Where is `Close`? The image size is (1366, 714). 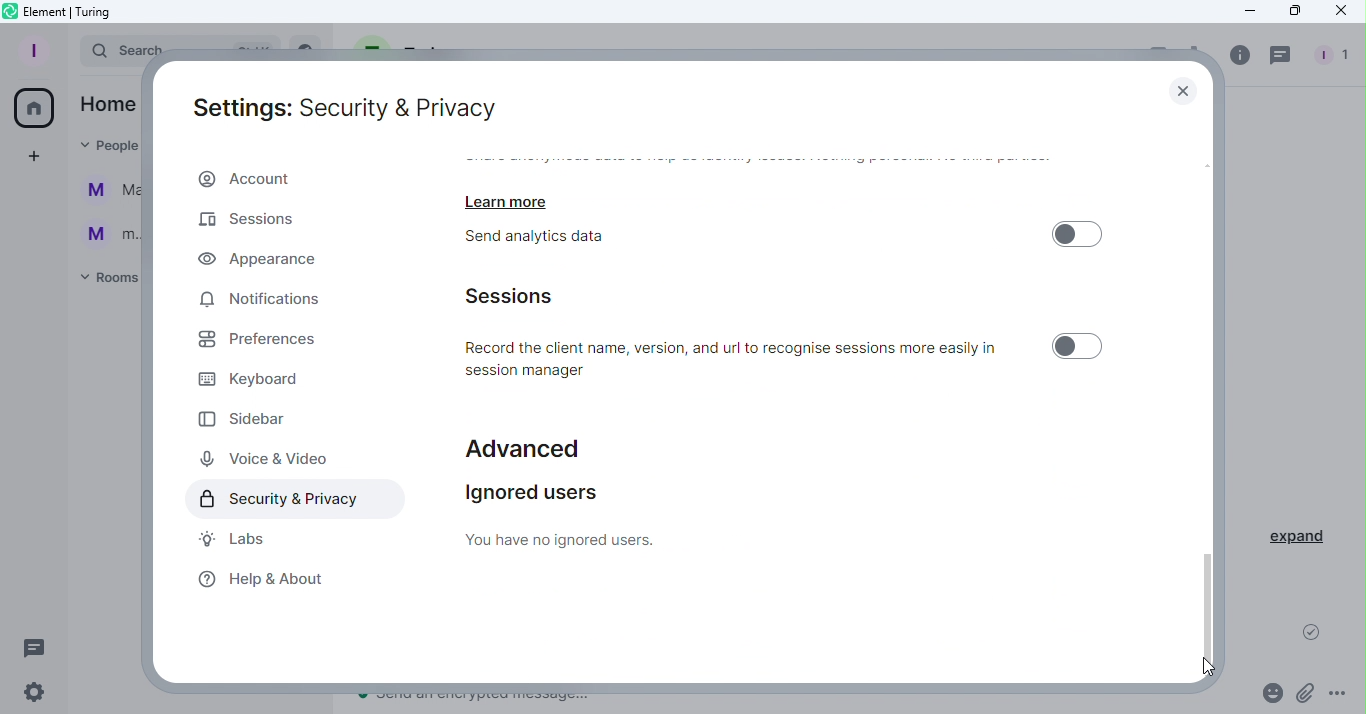
Close is located at coordinates (1339, 13).